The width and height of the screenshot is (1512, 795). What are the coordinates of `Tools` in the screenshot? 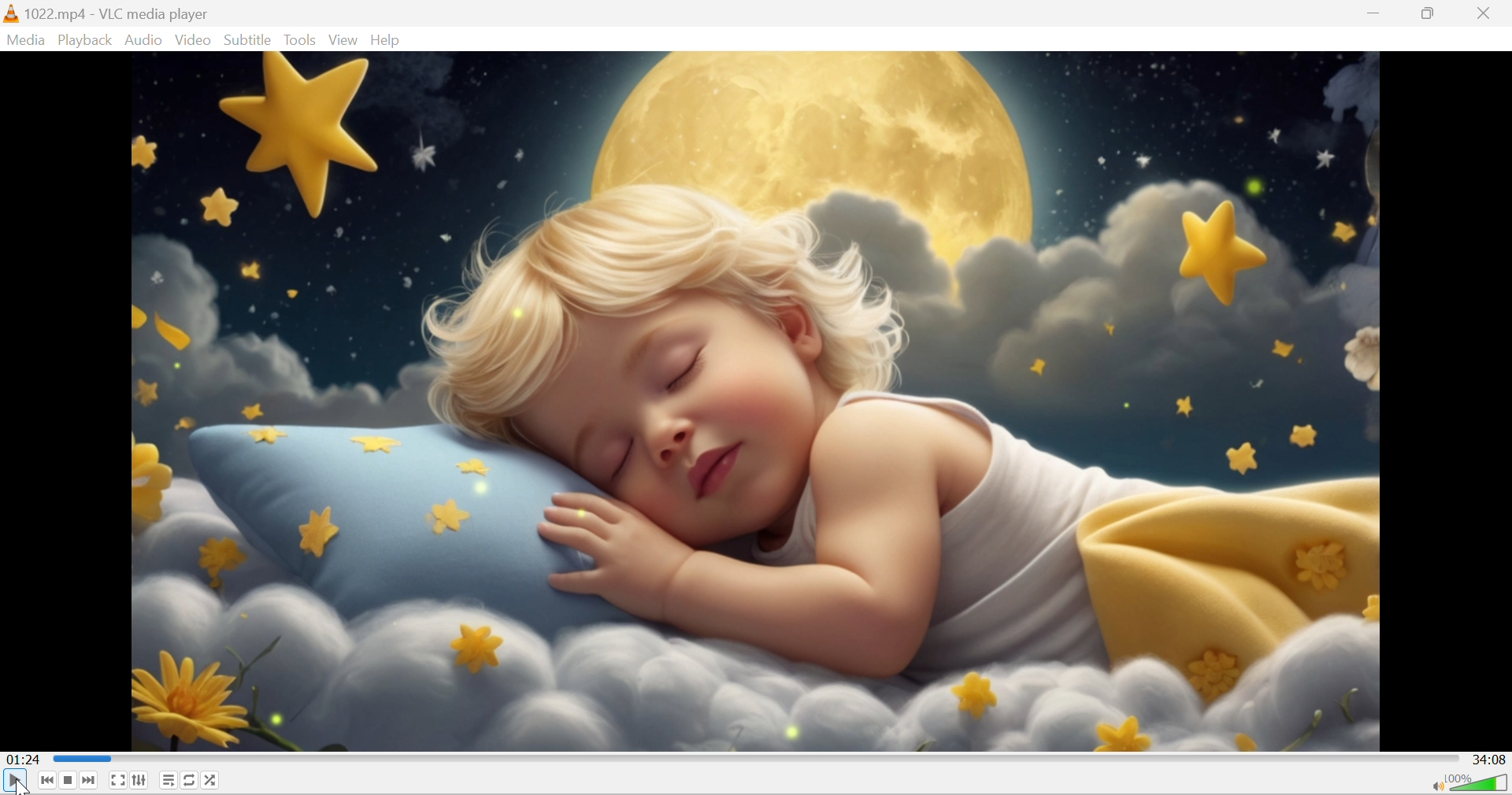 It's located at (299, 40).